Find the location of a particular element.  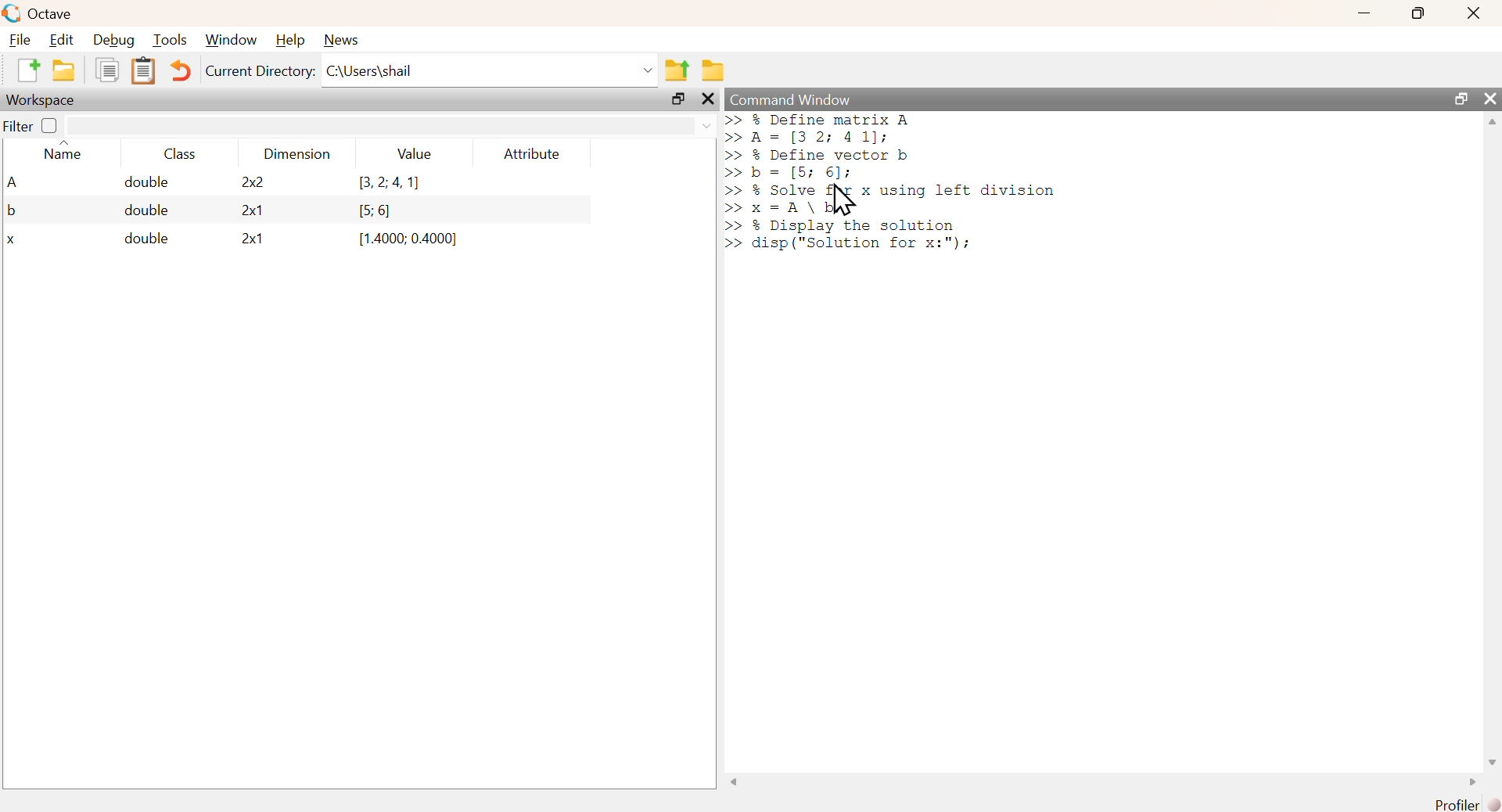

close is located at coordinates (706, 100).